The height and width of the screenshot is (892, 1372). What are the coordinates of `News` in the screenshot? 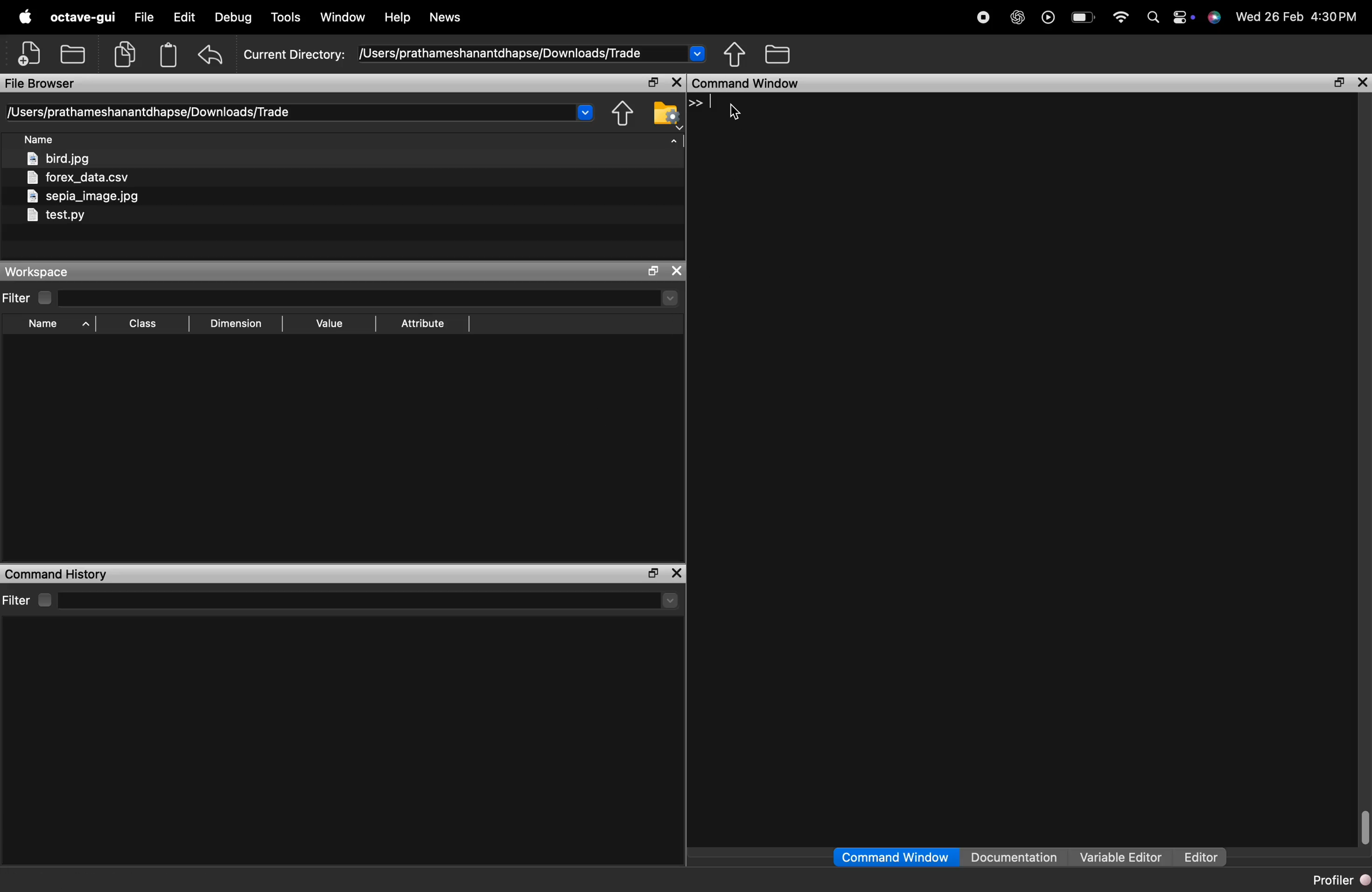 It's located at (446, 17).